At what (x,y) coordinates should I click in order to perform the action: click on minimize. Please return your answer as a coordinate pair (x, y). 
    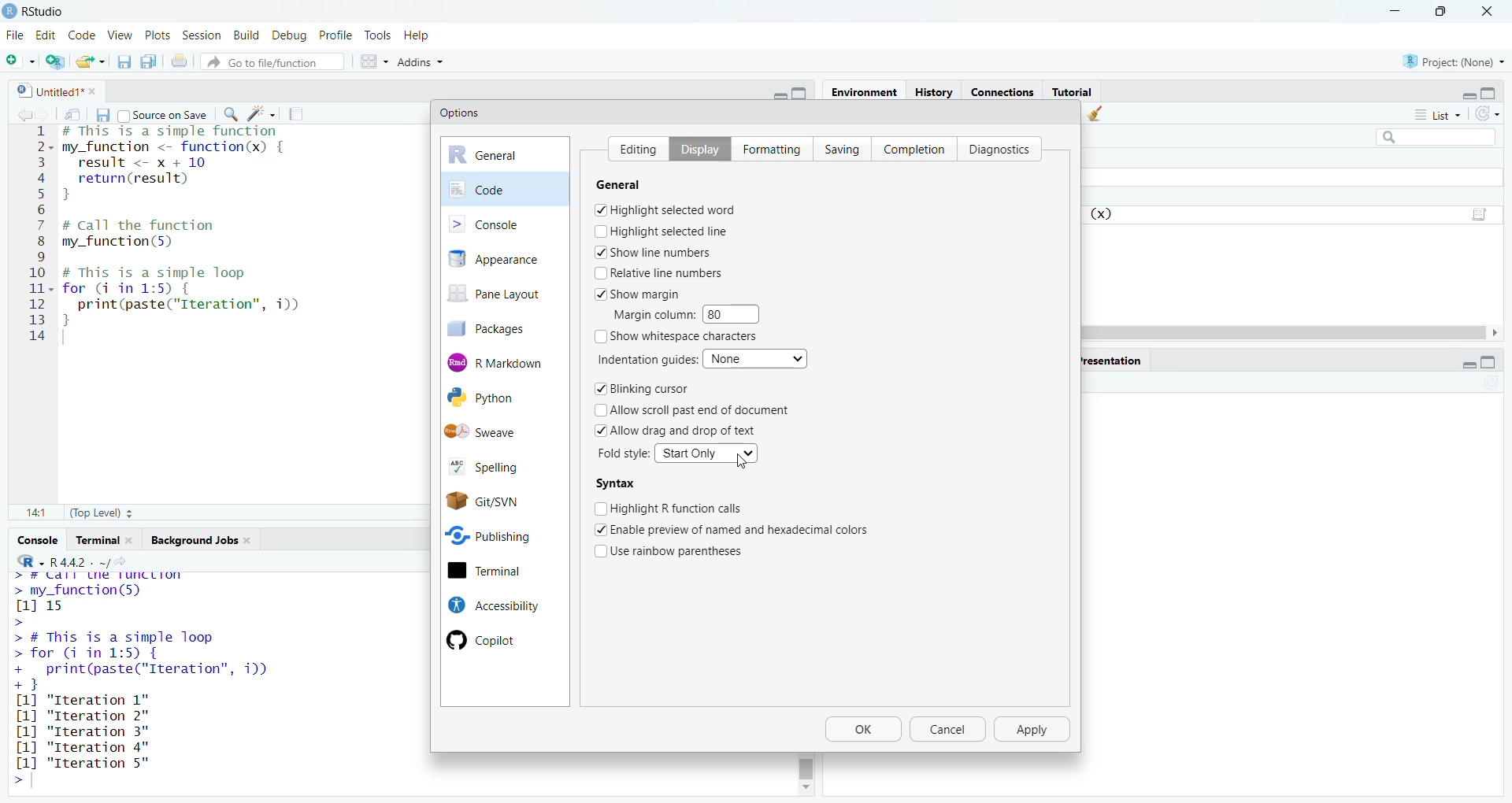
    Looking at the image, I should click on (776, 94).